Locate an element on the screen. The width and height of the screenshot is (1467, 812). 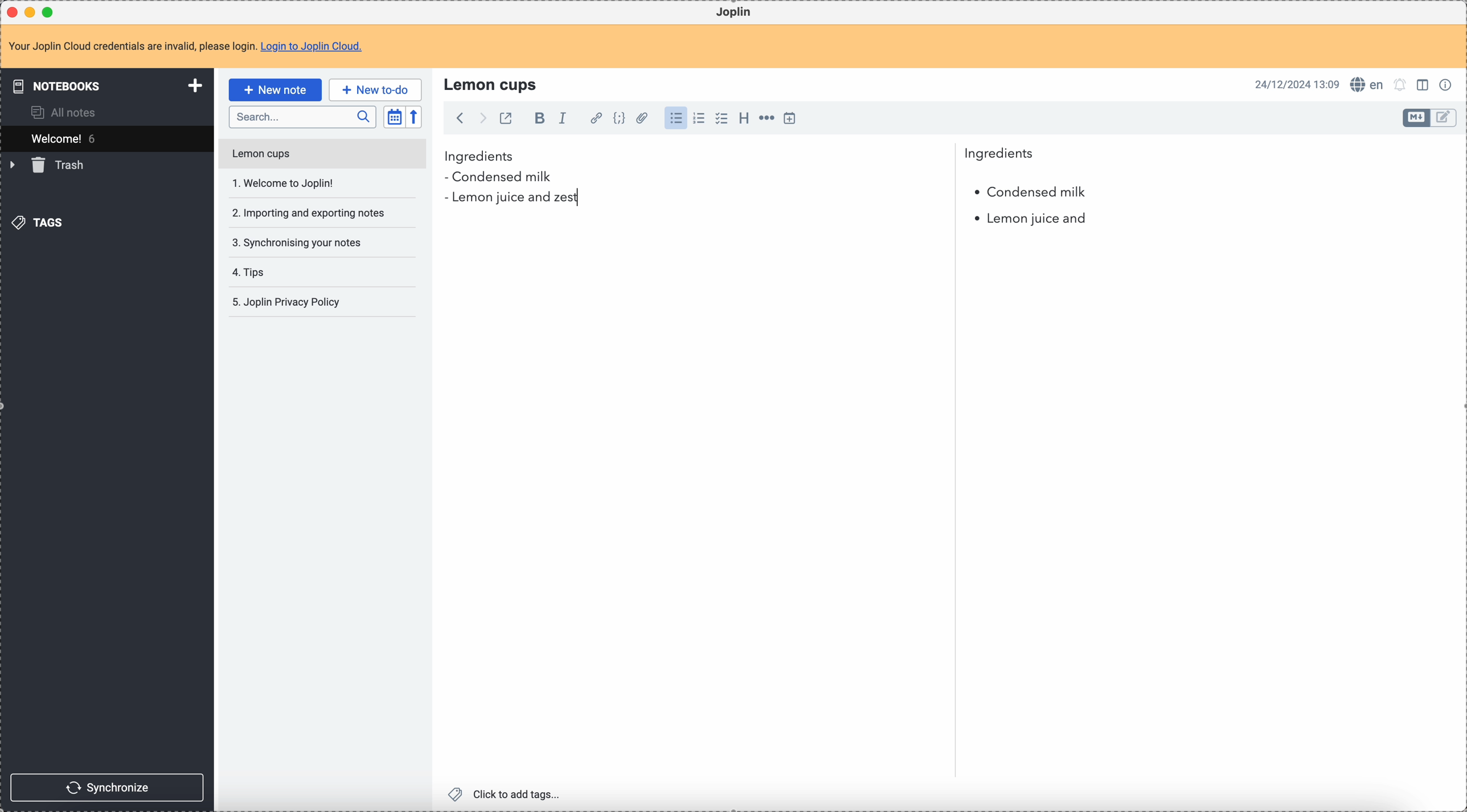
minimize is located at coordinates (32, 13).